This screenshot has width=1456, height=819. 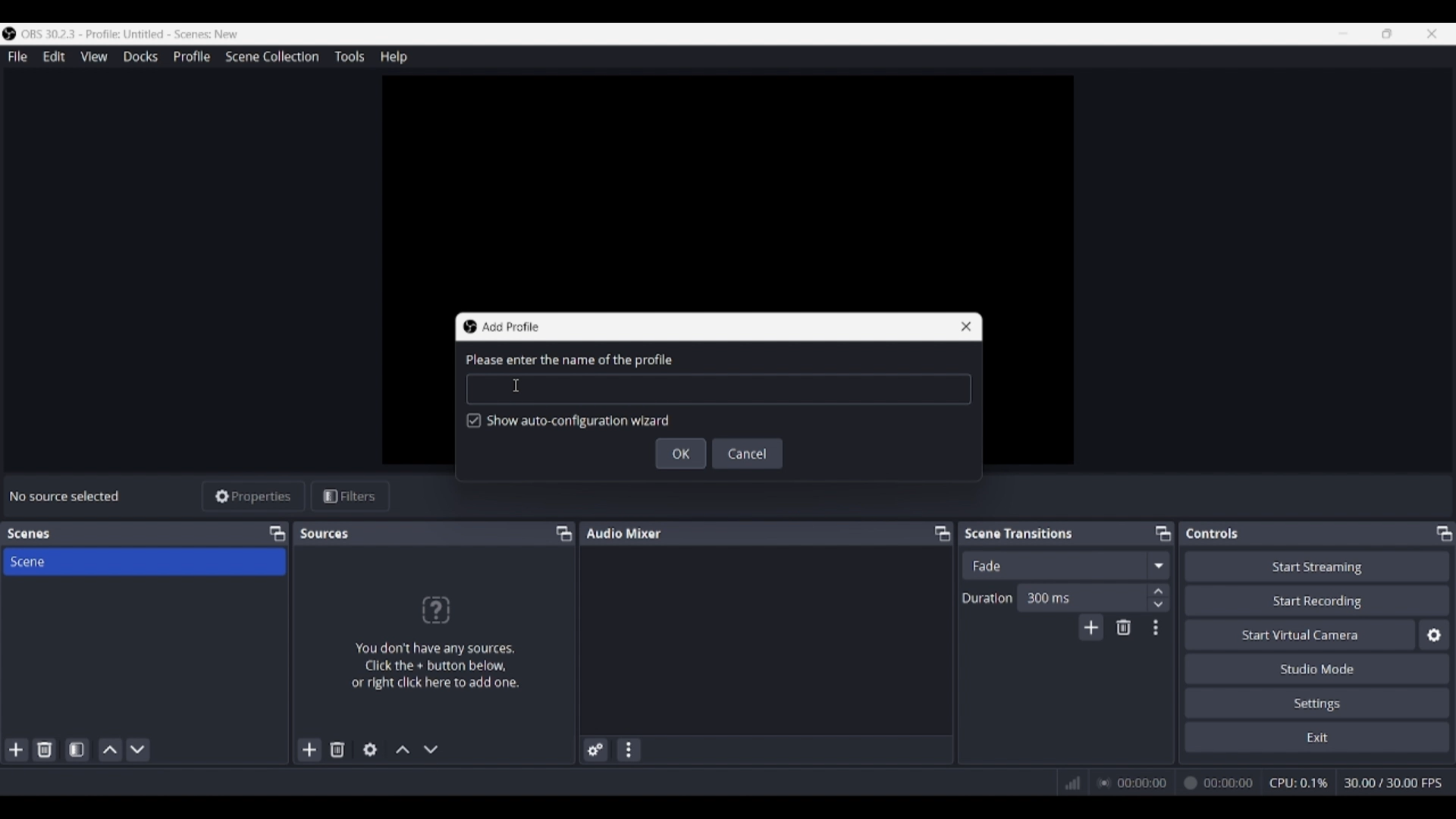 I want to click on Filters, so click(x=350, y=497).